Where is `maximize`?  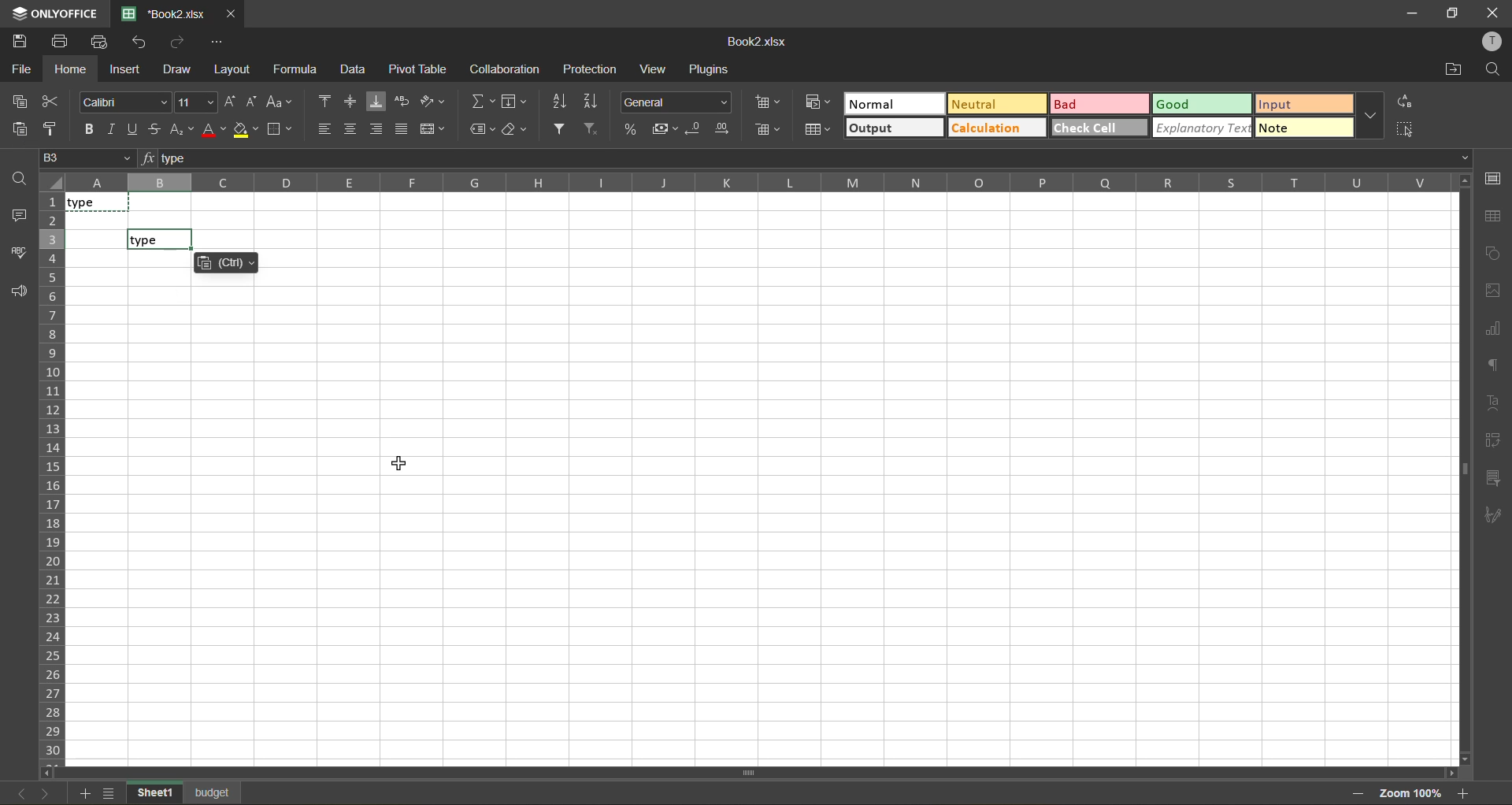
maximize is located at coordinates (1452, 12).